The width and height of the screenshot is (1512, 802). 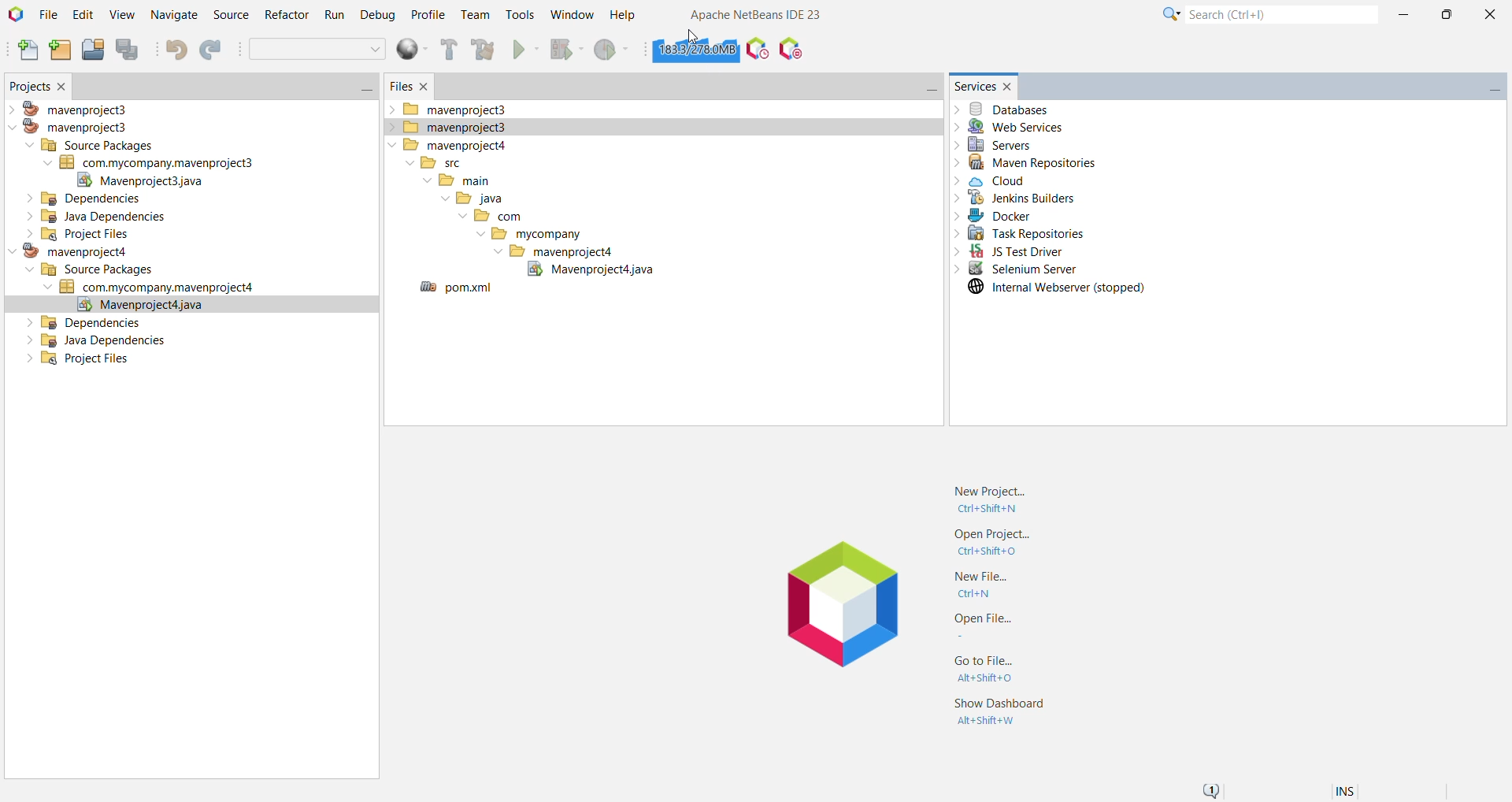 What do you see at coordinates (989, 670) in the screenshot?
I see `Go to File` at bounding box center [989, 670].